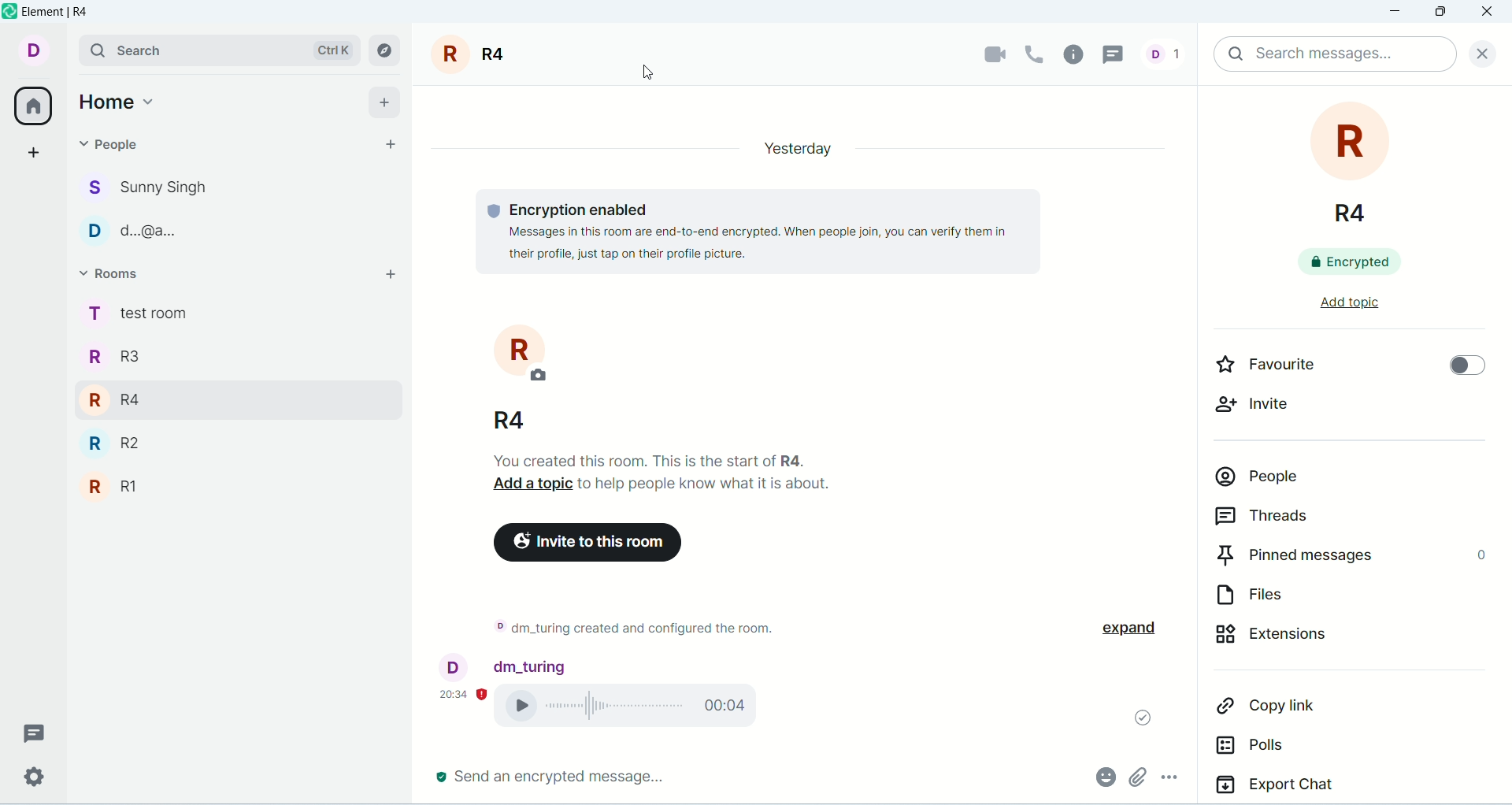 The width and height of the screenshot is (1512, 805). Describe the element at coordinates (119, 98) in the screenshot. I see `home` at that location.